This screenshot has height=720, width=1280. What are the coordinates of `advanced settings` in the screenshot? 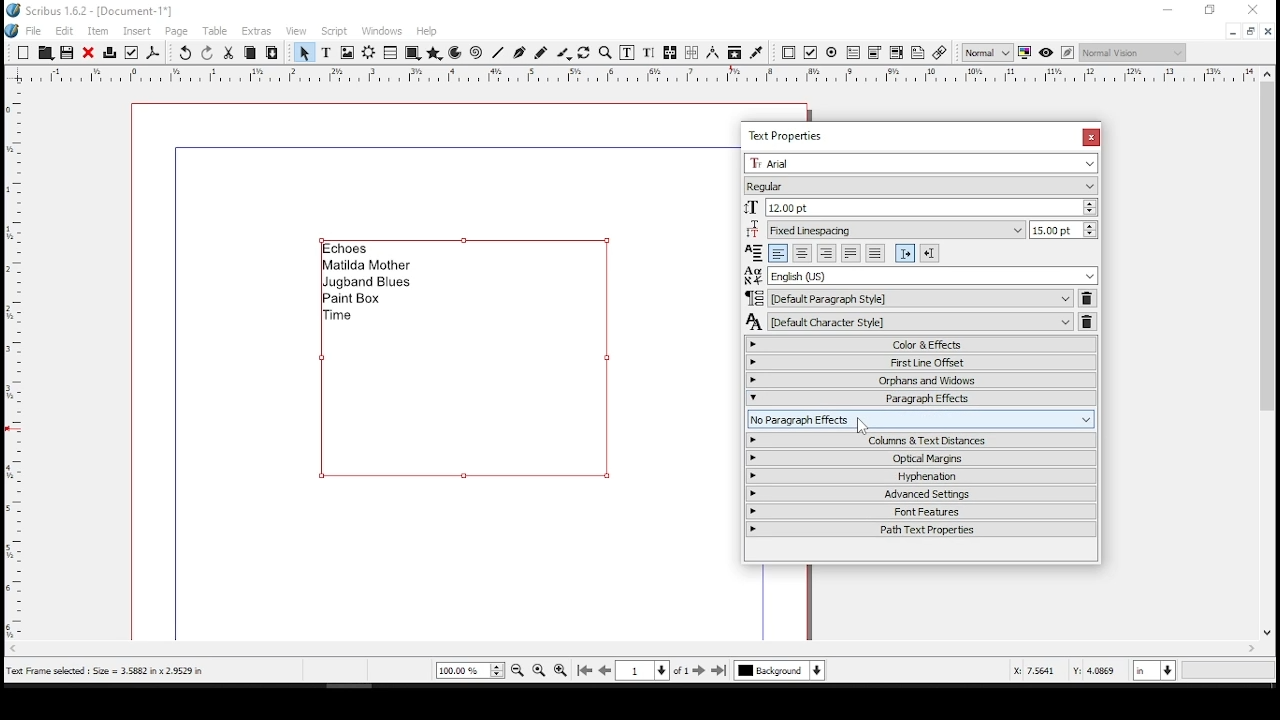 It's located at (921, 491).